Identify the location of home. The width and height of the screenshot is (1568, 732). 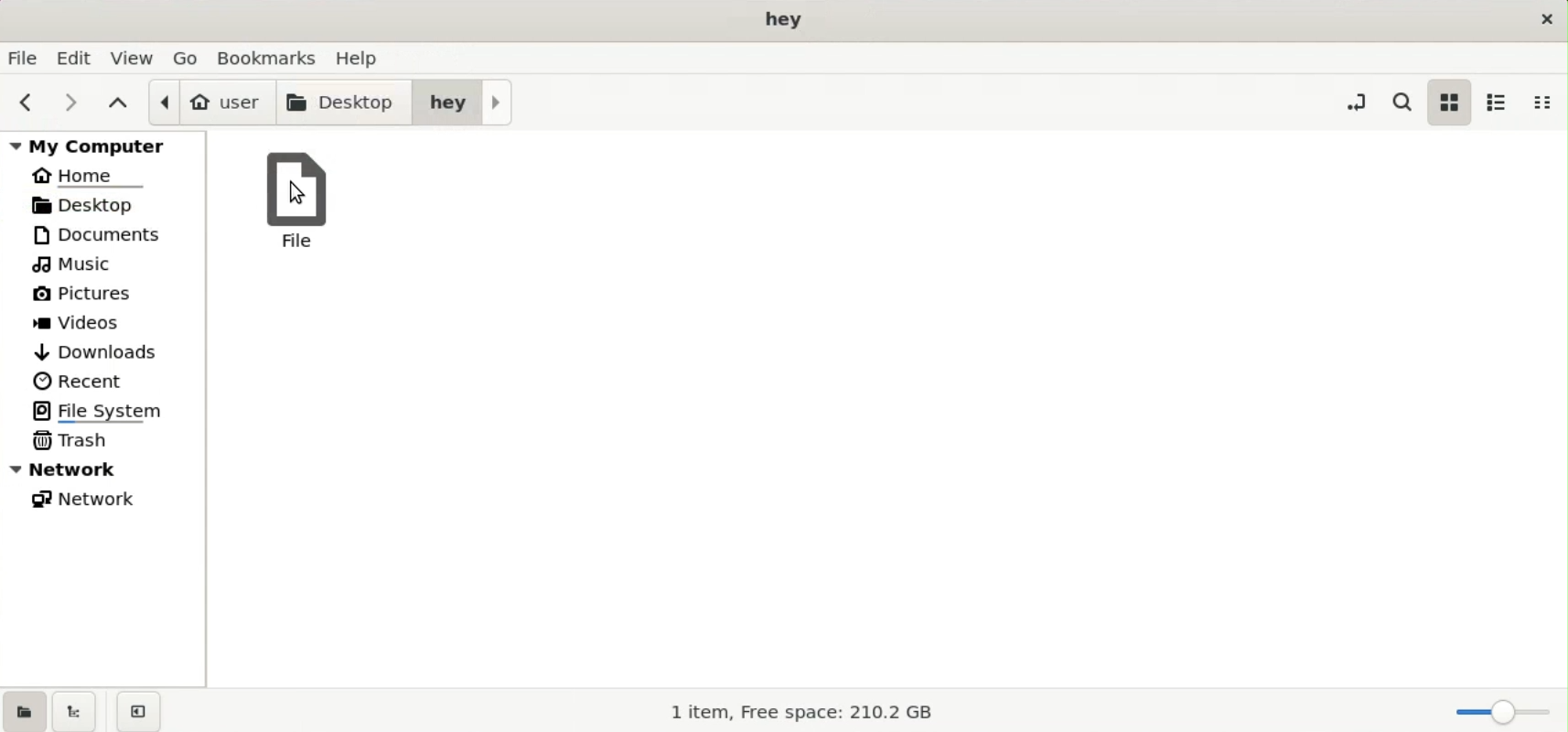
(91, 174).